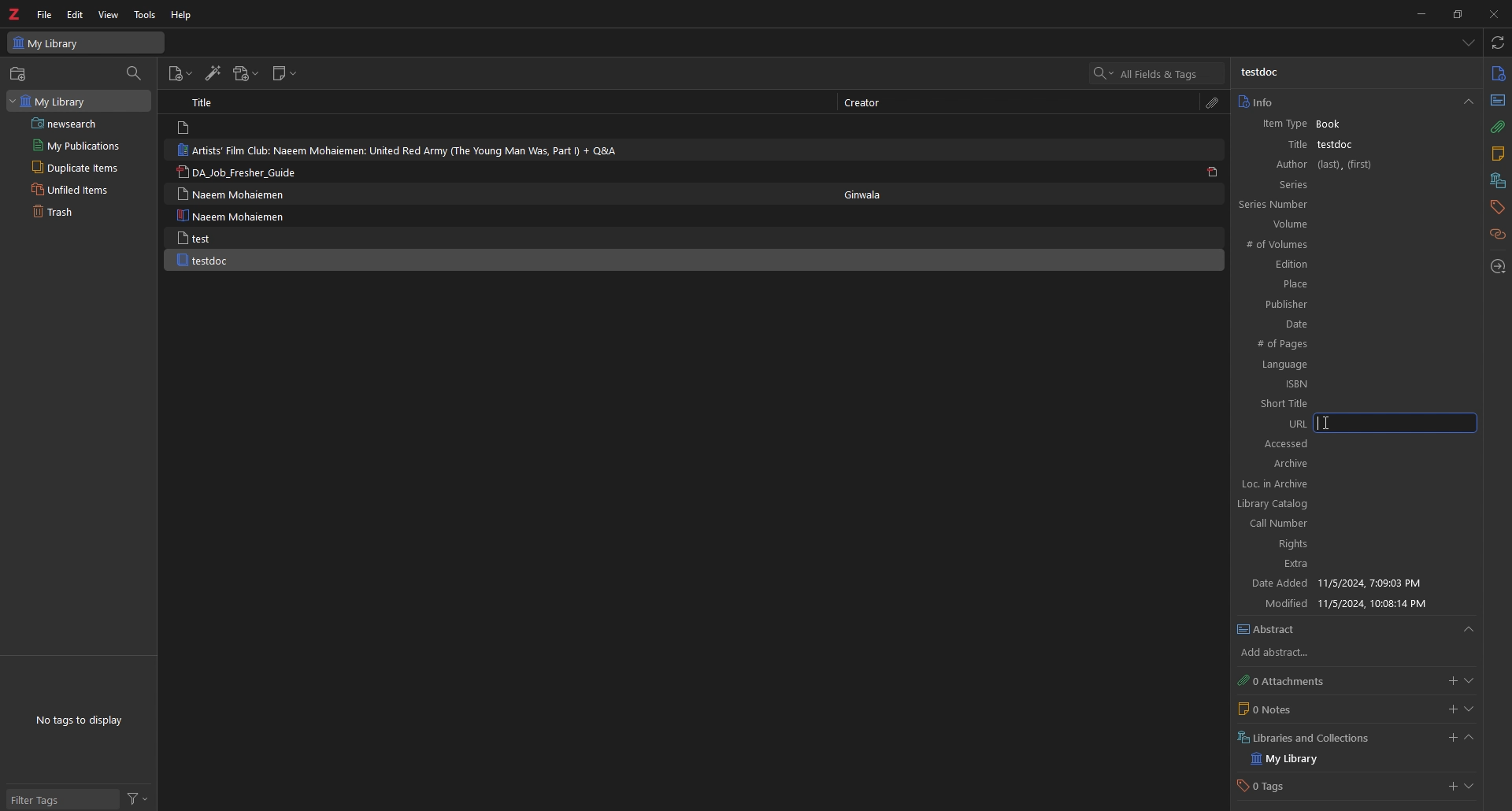 The image size is (1512, 811). I want to click on Libraries and Collections, so click(1310, 738).